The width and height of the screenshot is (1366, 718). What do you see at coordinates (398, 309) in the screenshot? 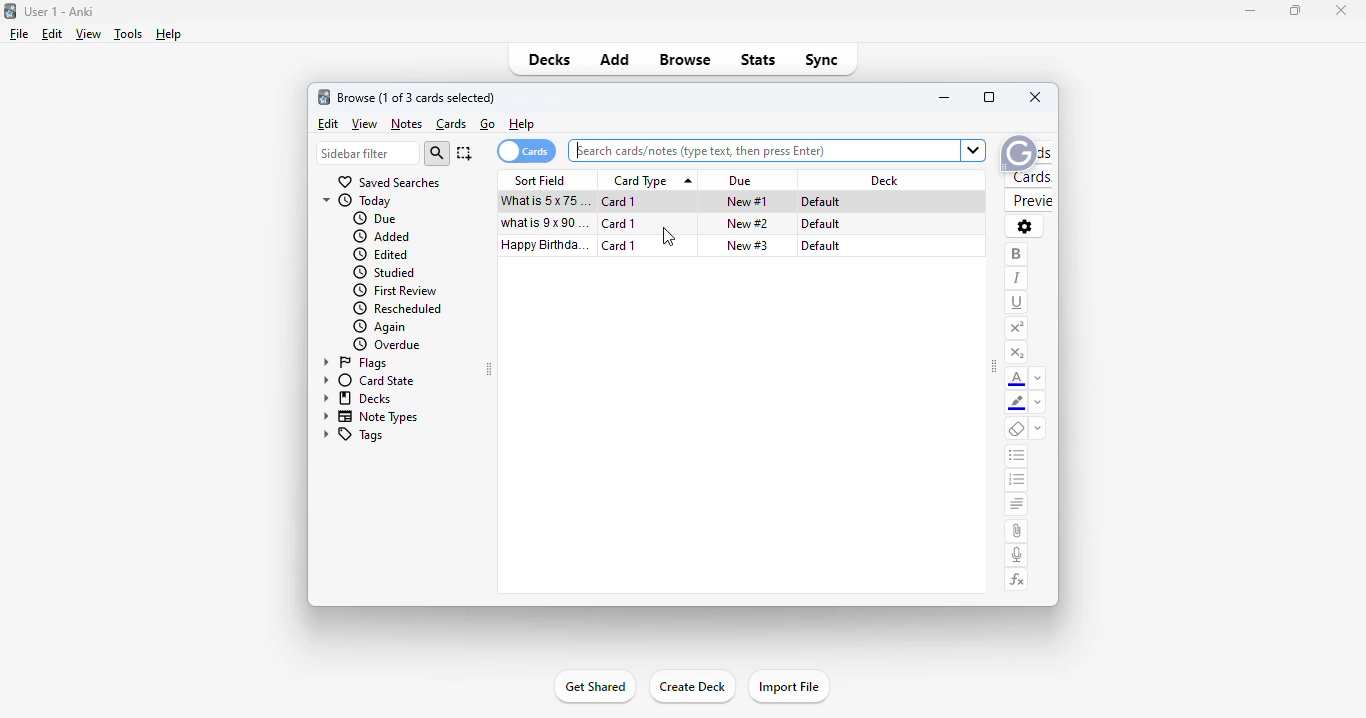
I see `rescheduled` at bounding box center [398, 309].